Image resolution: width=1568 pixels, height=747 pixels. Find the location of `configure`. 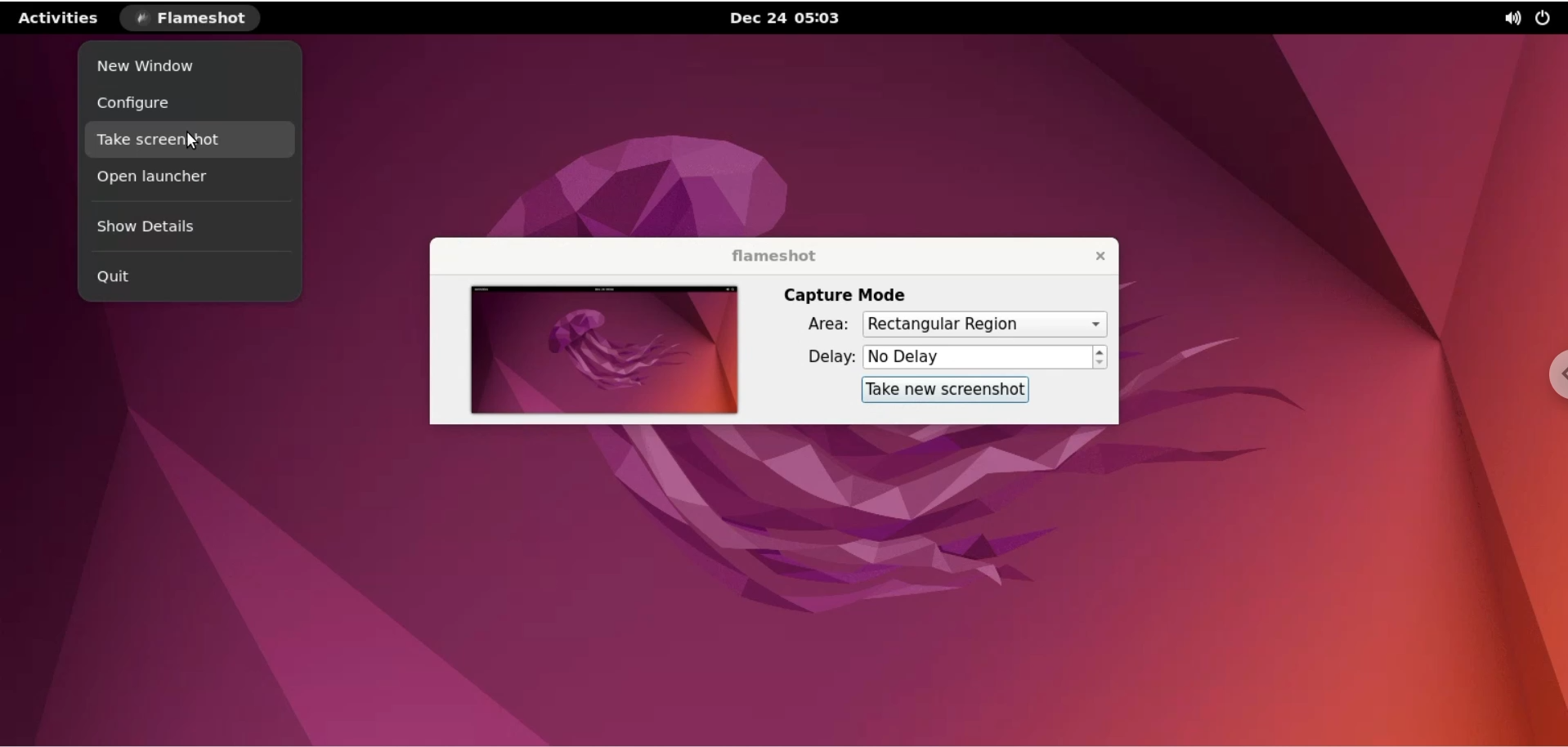

configure is located at coordinates (189, 103).